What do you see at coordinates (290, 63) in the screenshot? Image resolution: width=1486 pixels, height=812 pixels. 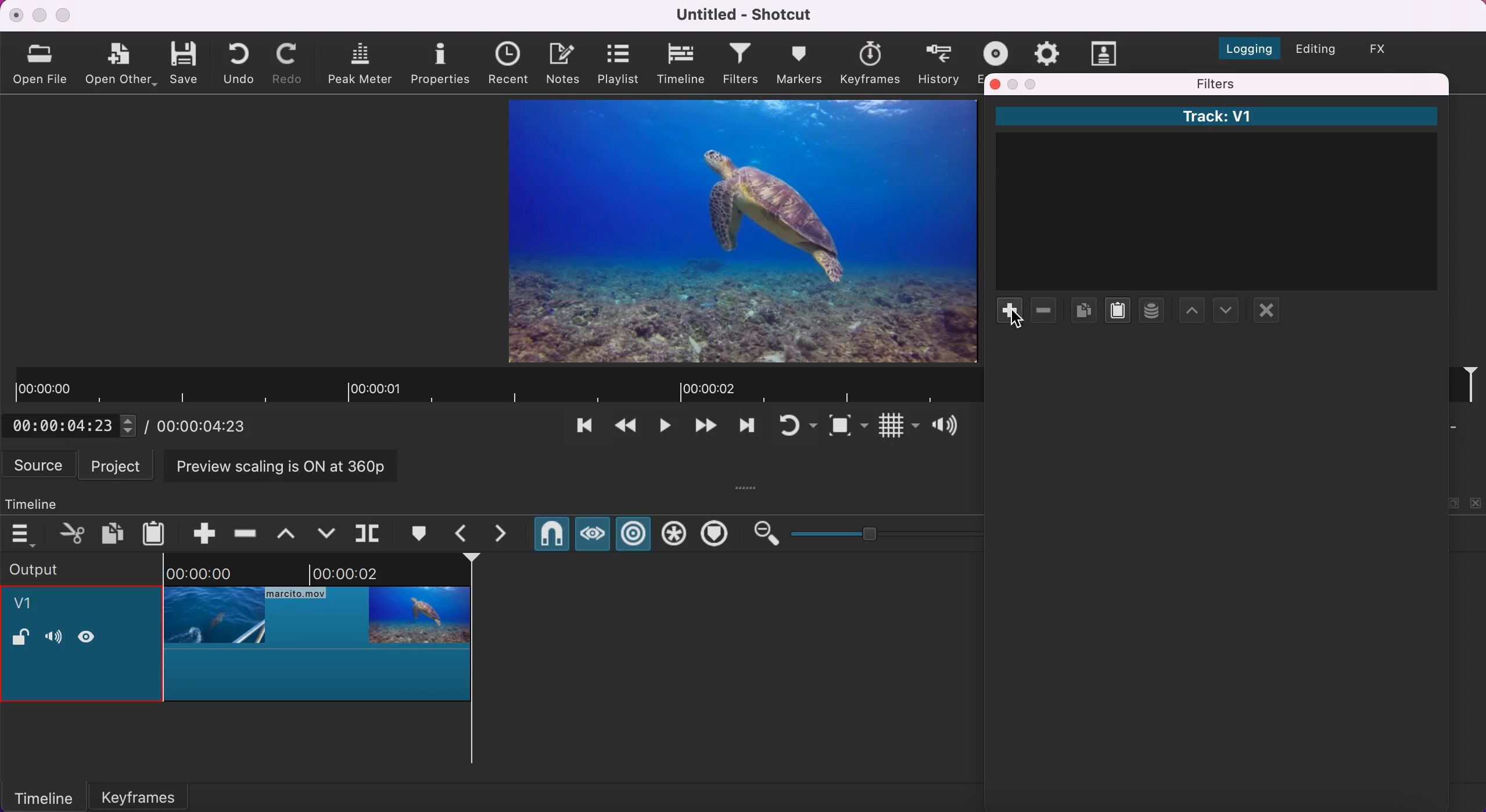 I see `redo` at bounding box center [290, 63].